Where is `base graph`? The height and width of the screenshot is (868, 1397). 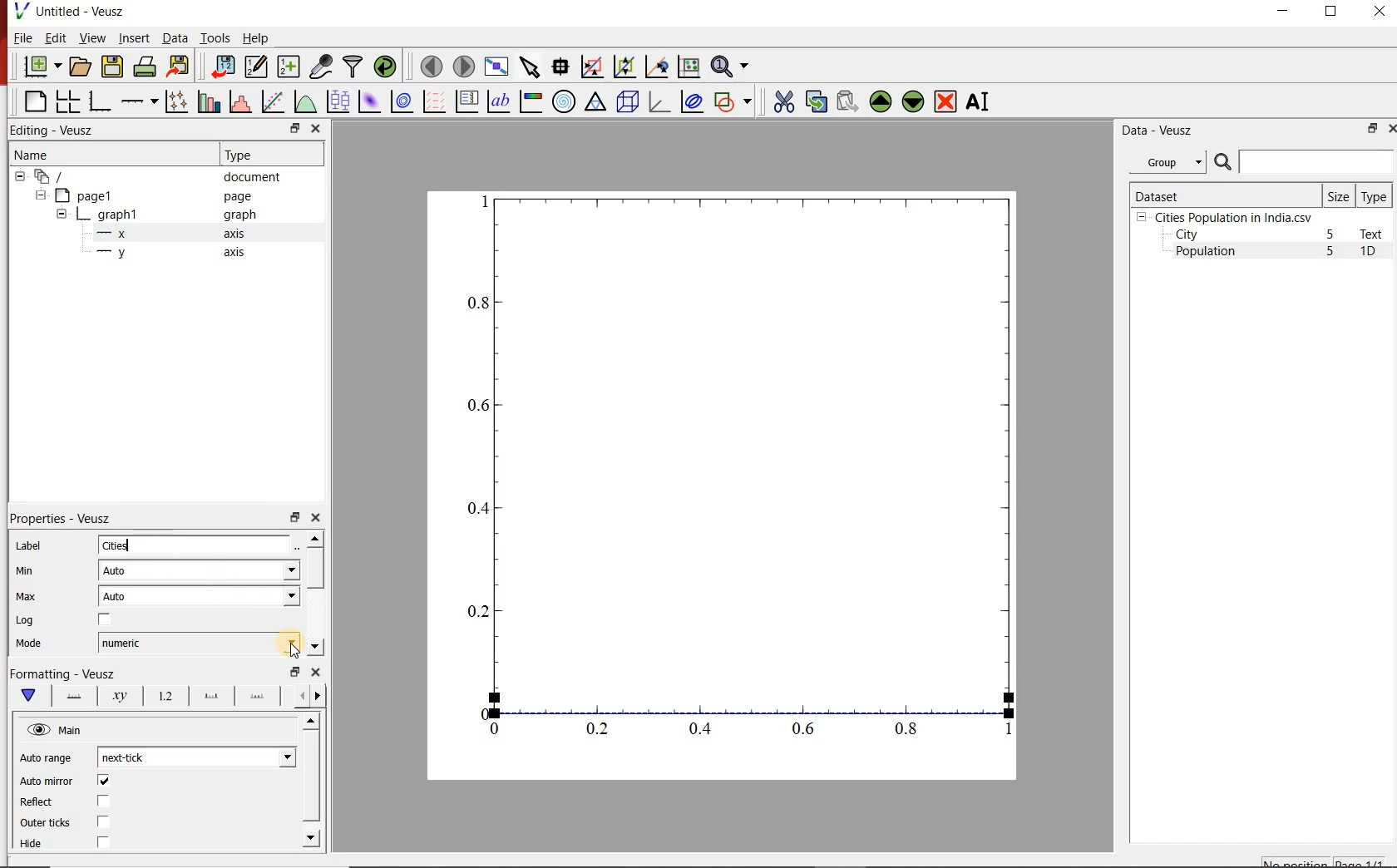
base graph is located at coordinates (98, 101).